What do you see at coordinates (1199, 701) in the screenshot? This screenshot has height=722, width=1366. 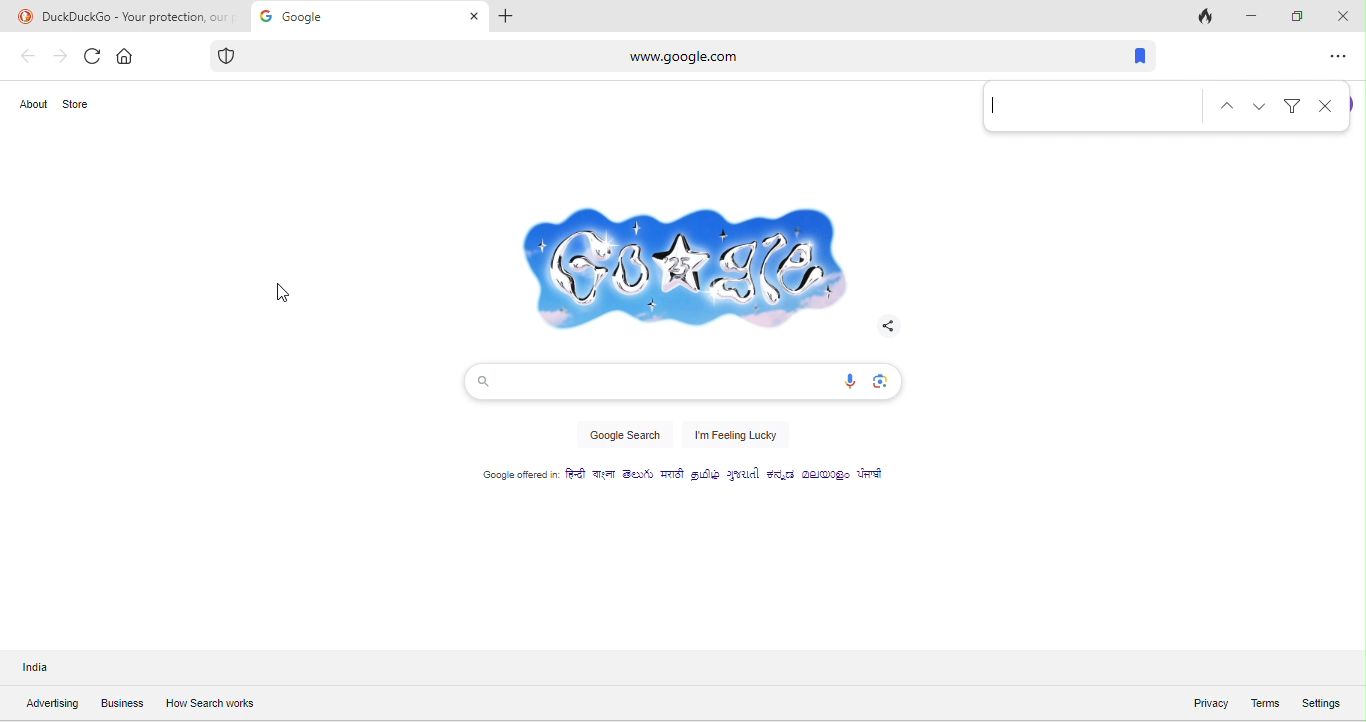 I see `privacy` at bounding box center [1199, 701].